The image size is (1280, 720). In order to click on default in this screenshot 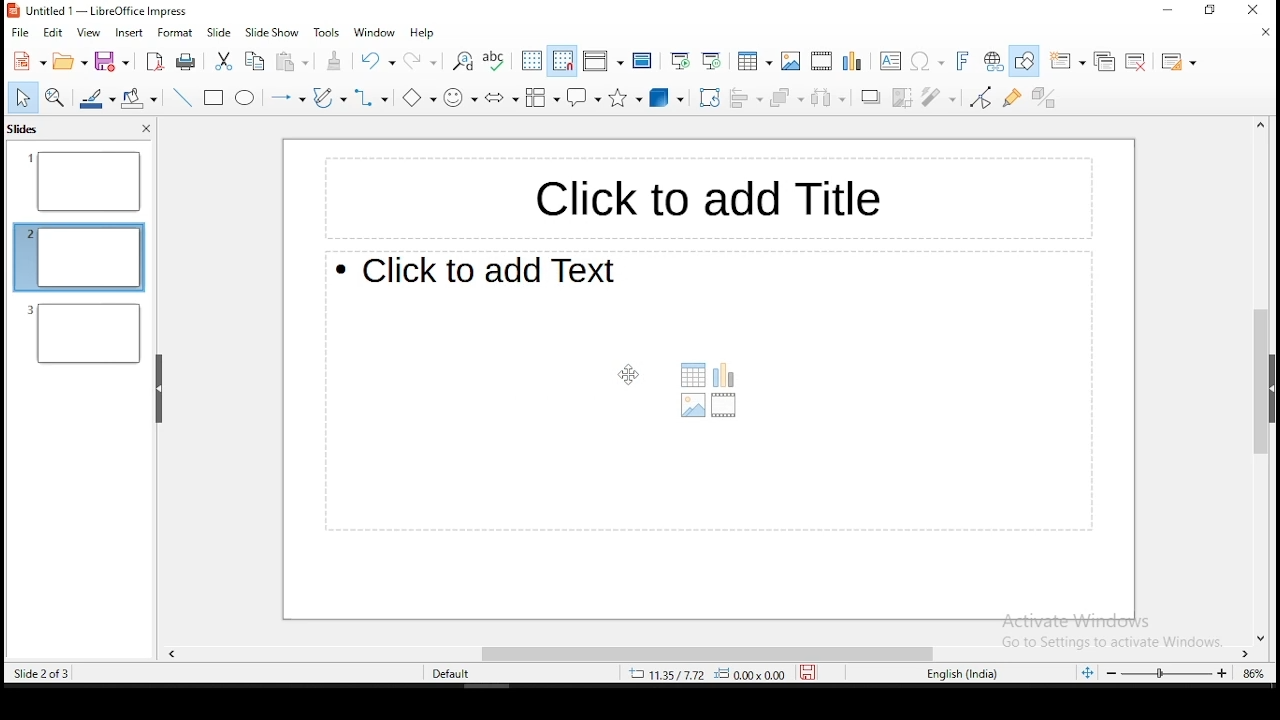, I will do `click(453, 675)`.